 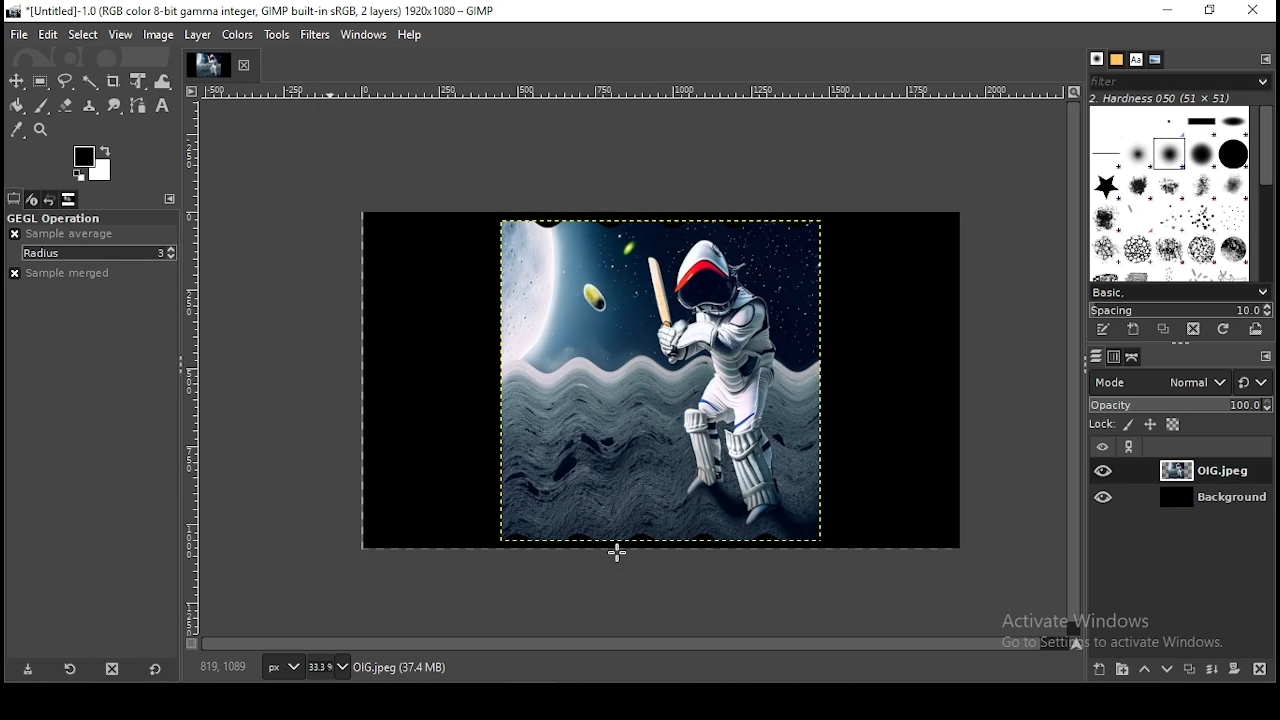 What do you see at coordinates (115, 81) in the screenshot?
I see `crop` at bounding box center [115, 81].